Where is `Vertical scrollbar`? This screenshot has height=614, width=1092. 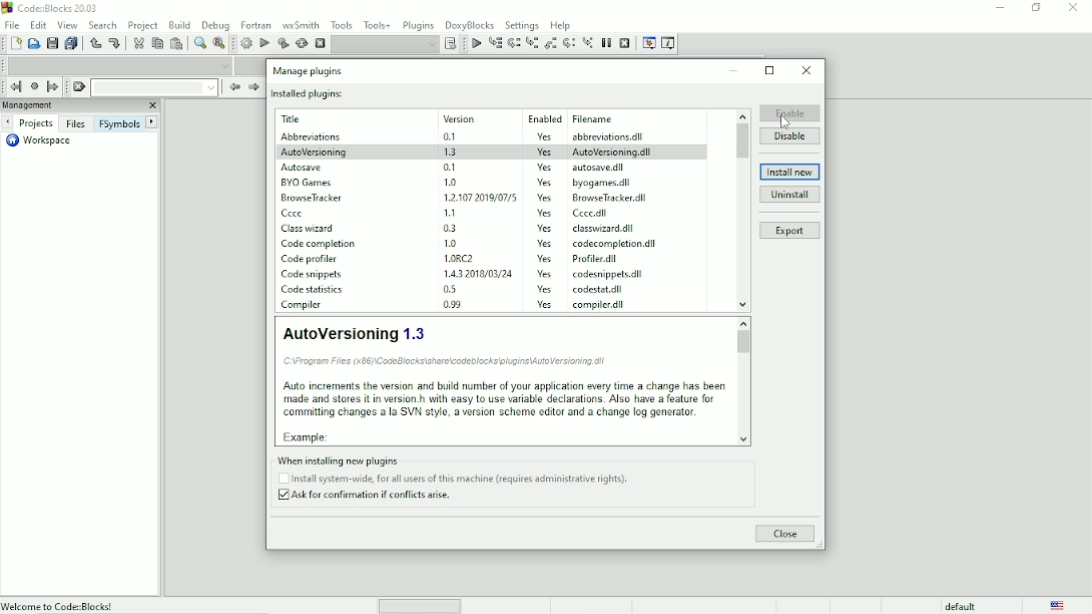 Vertical scrollbar is located at coordinates (743, 142).